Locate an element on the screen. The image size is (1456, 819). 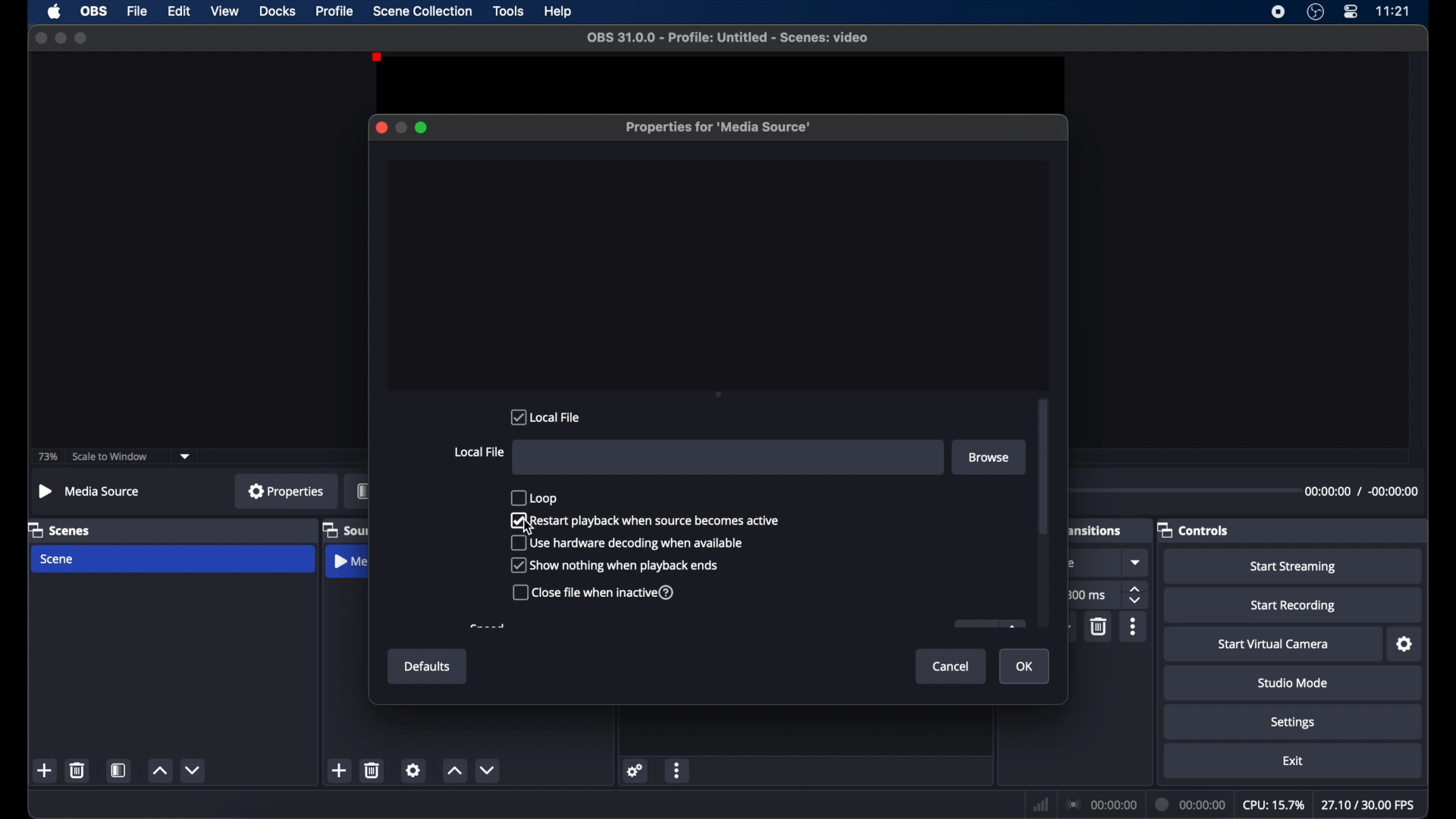
sources is located at coordinates (347, 529).